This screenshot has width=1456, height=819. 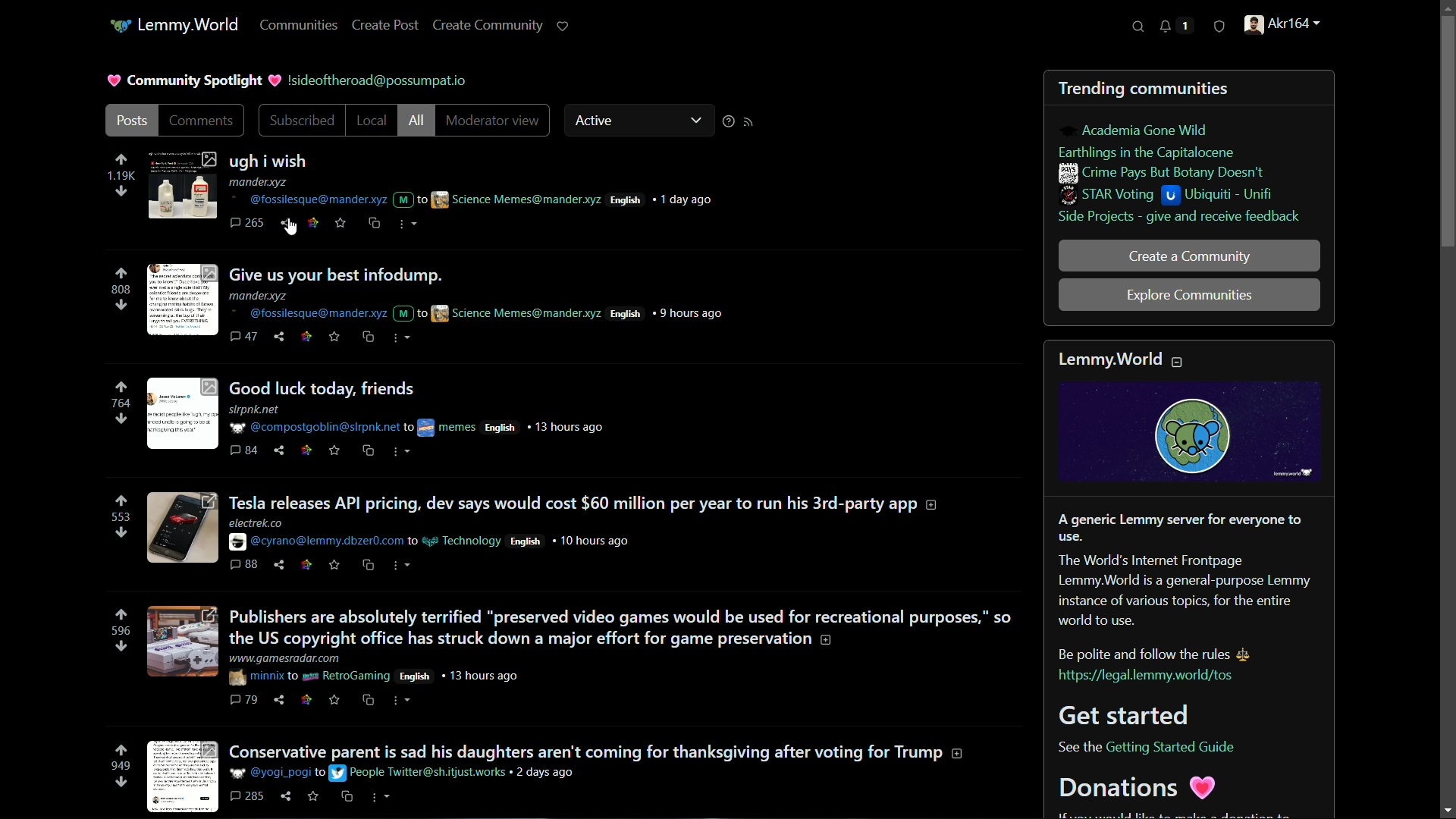 I want to click on support lemmy.world, so click(x=565, y=27).